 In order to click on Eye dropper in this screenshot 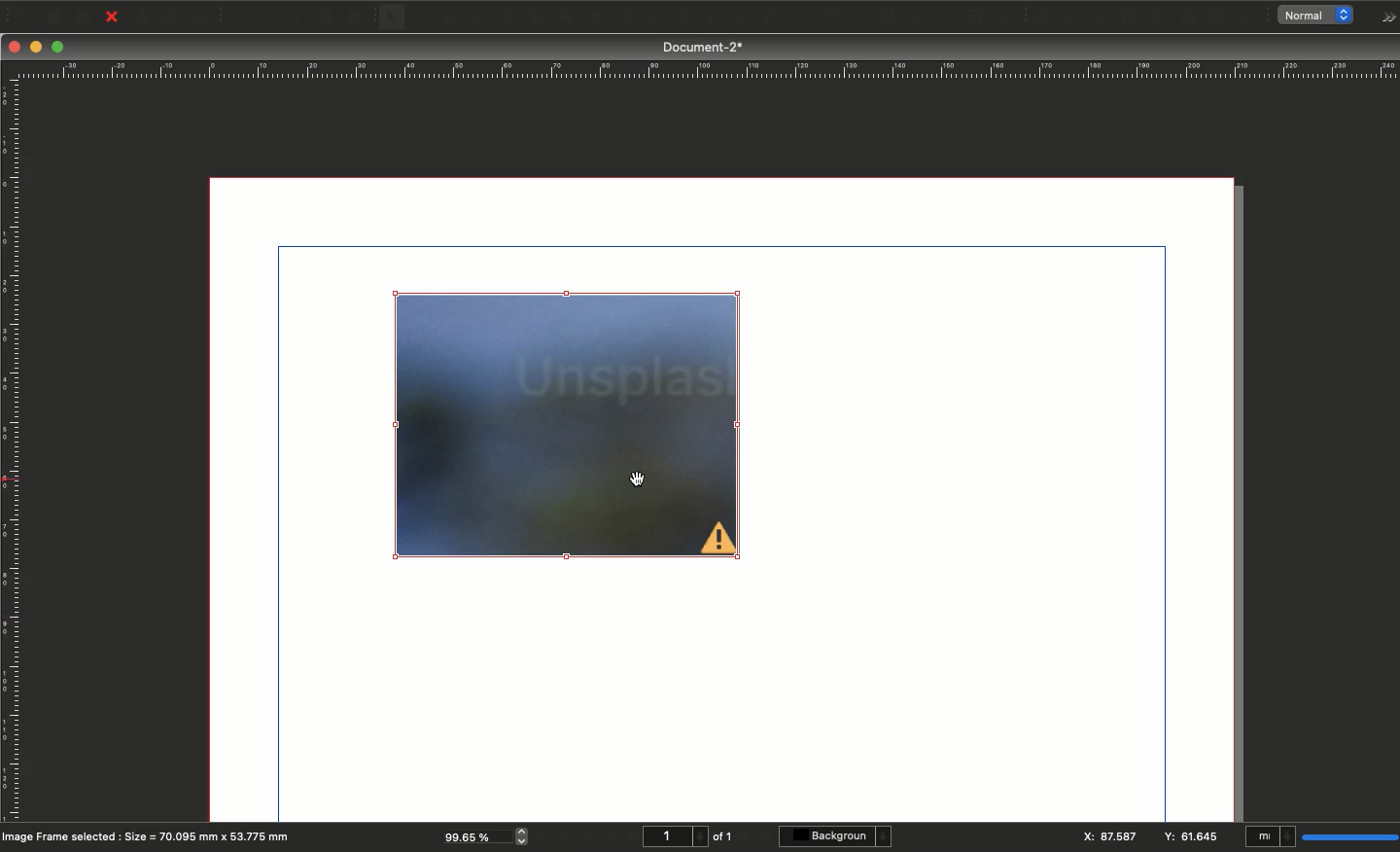, I will do `click(1004, 18)`.